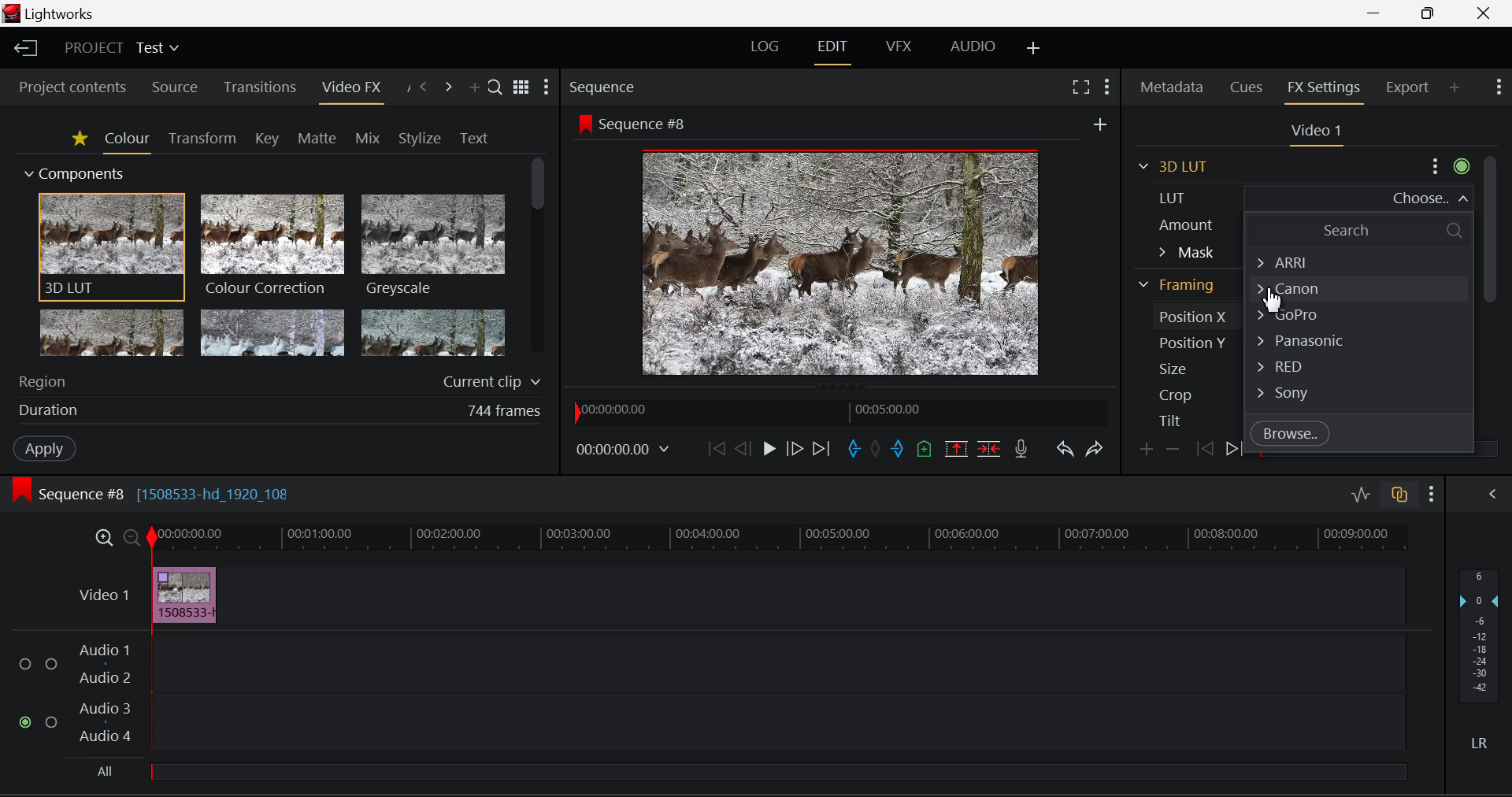 The image size is (1512, 797). Describe the element at coordinates (1320, 135) in the screenshot. I see `Video Settings` at that location.